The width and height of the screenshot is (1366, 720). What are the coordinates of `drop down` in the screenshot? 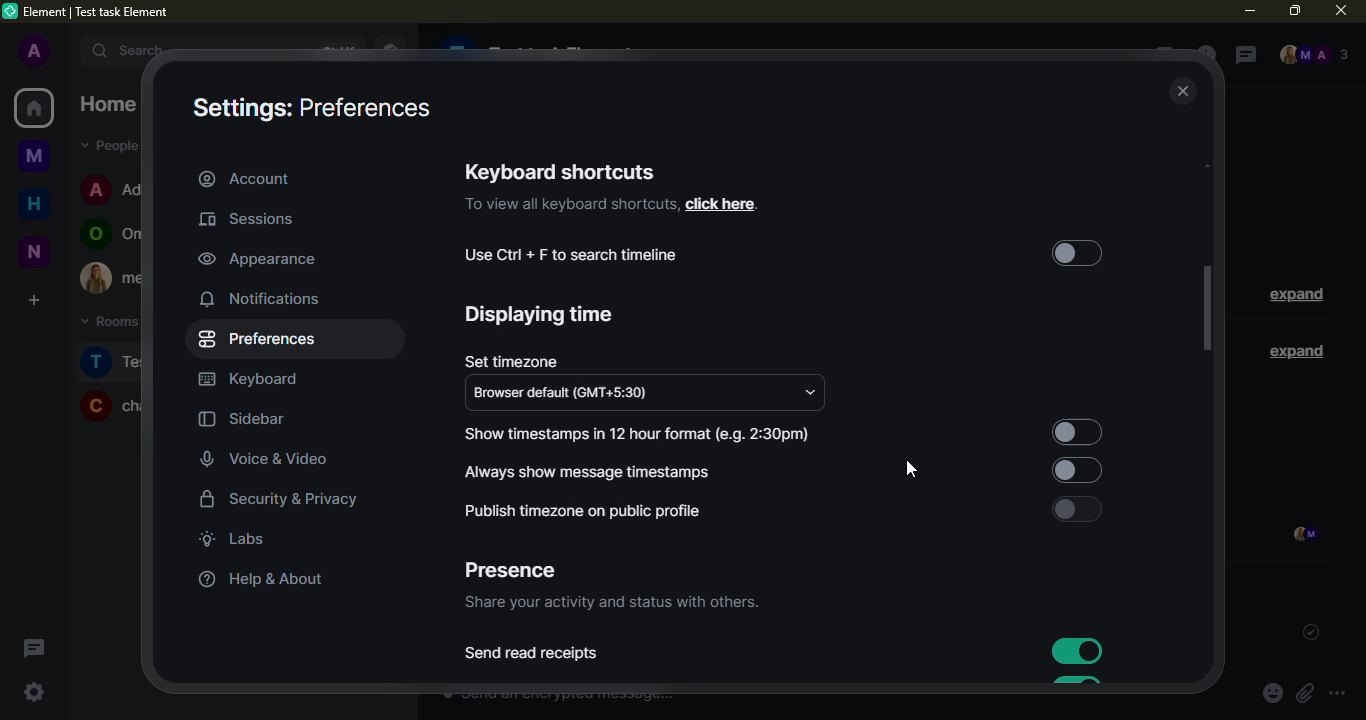 It's located at (810, 393).